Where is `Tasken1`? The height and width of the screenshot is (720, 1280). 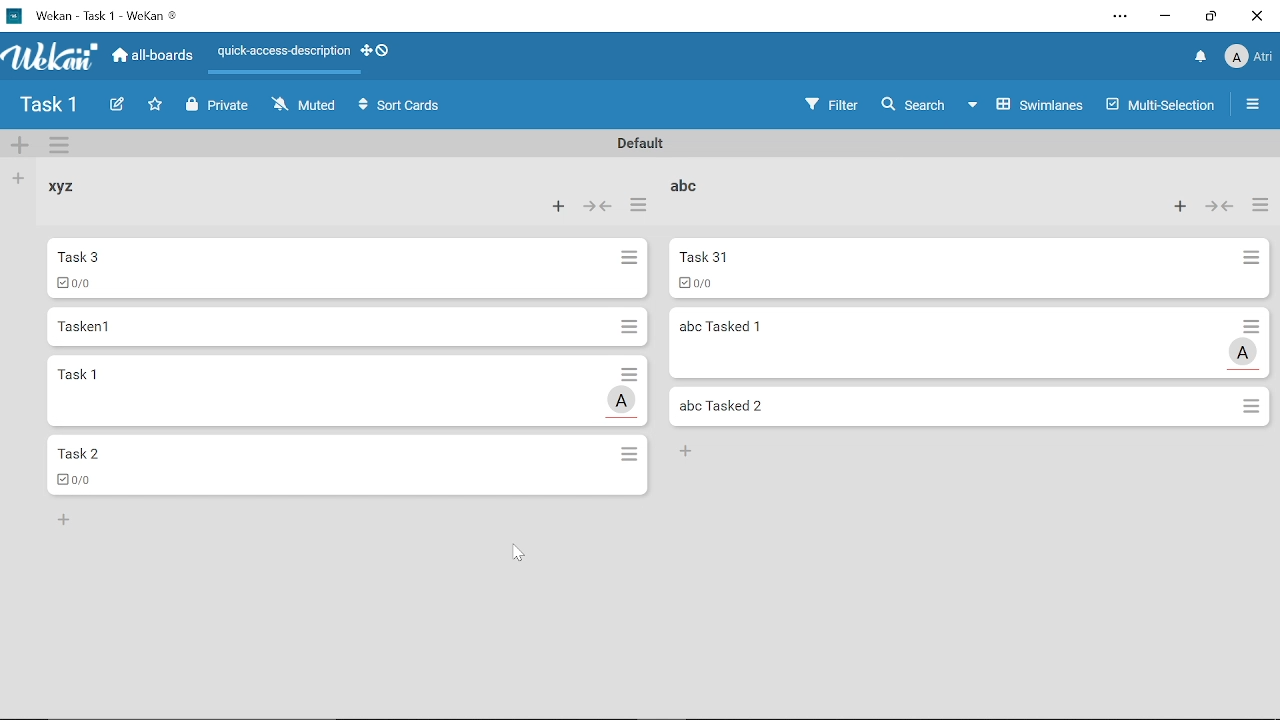 Tasken1 is located at coordinates (347, 328).